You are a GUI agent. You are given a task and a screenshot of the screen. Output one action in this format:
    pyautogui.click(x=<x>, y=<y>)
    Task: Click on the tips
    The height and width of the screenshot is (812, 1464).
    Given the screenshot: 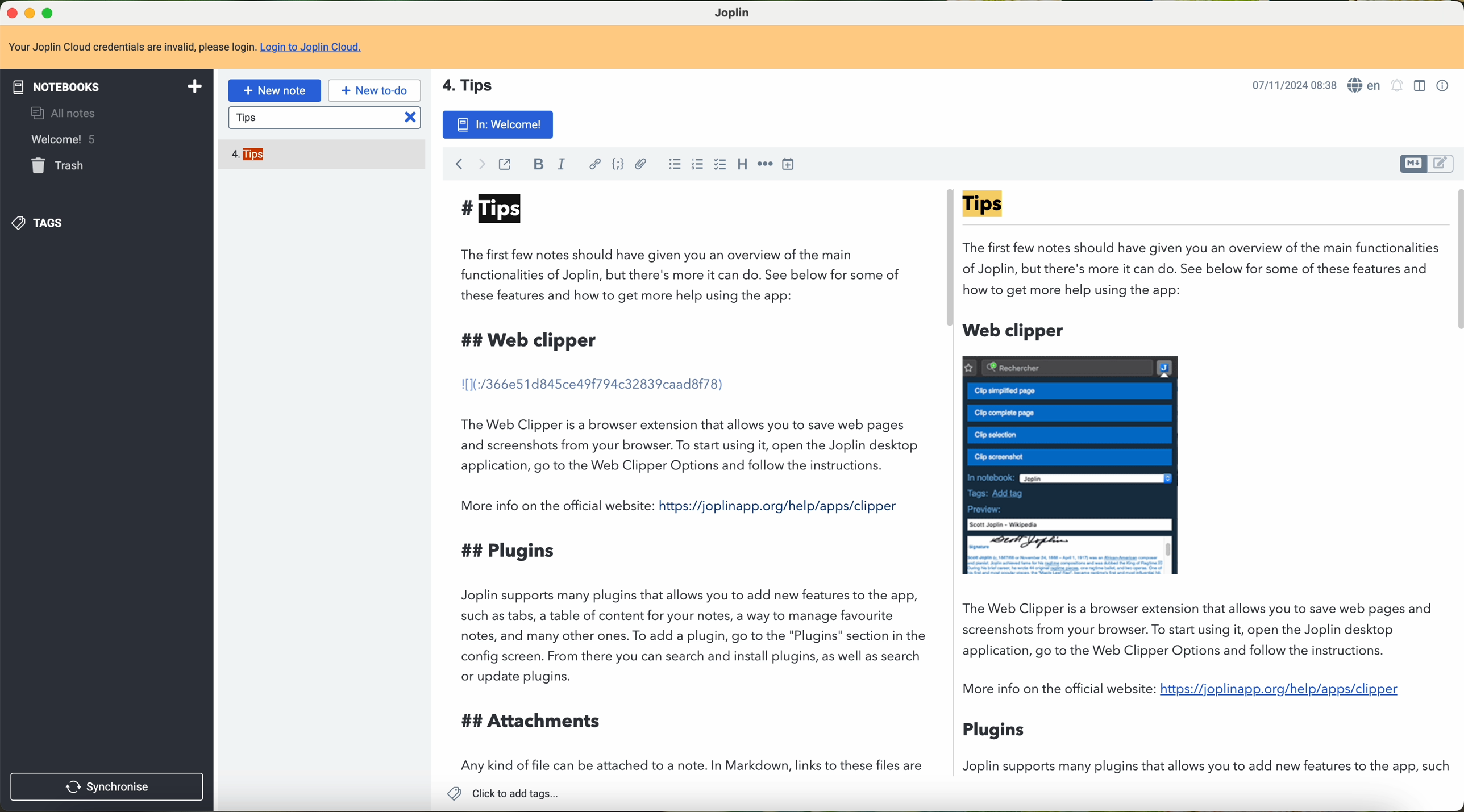 What is the action you would take?
    pyautogui.click(x=326, y=119)
    